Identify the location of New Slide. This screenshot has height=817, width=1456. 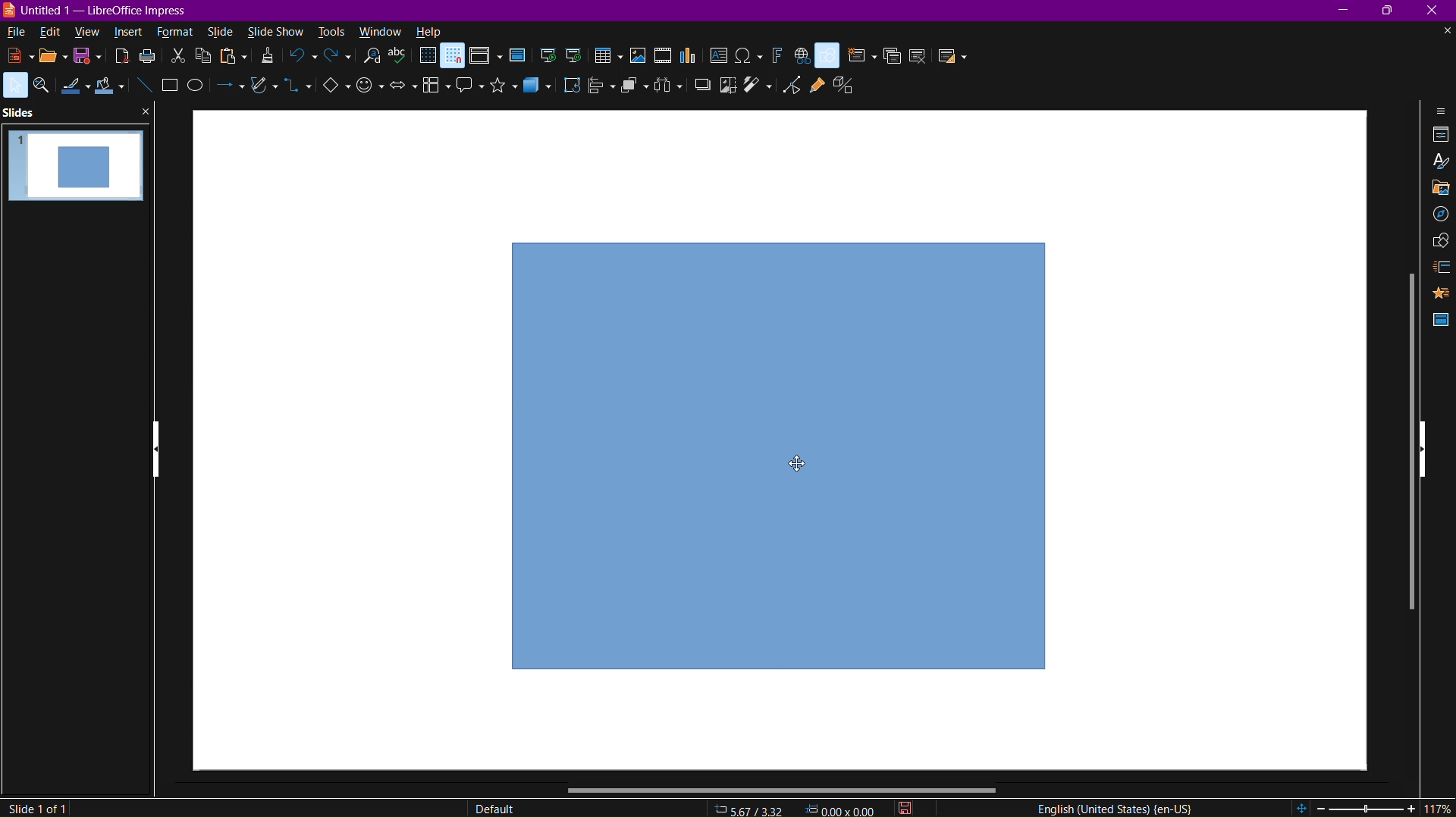
(859, 56).